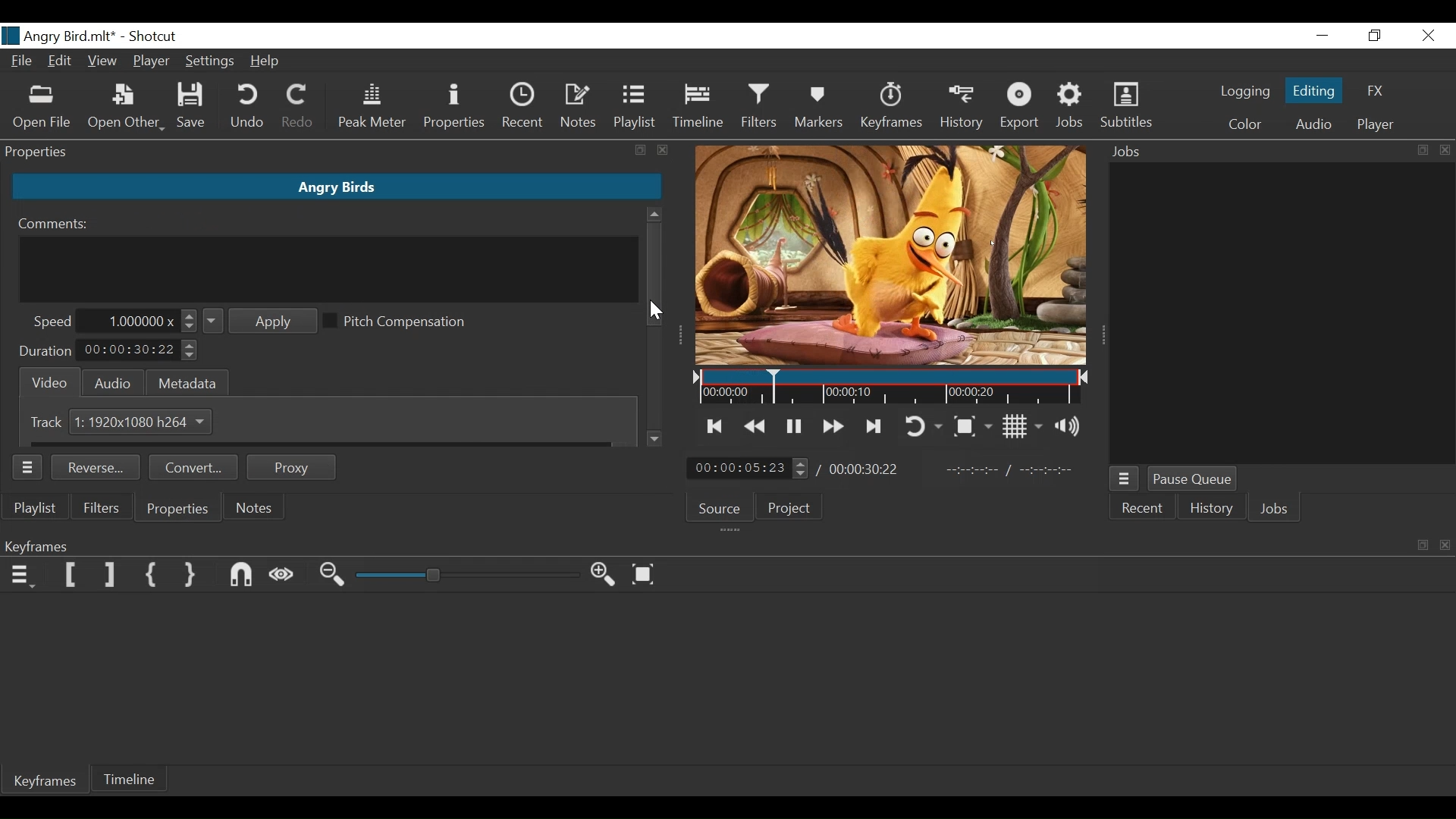 This screenshot has height=819, width=1456. What do you see at coordinates (101, 60) in the screenshot?
I see `View` at bounding box center [101, 60].